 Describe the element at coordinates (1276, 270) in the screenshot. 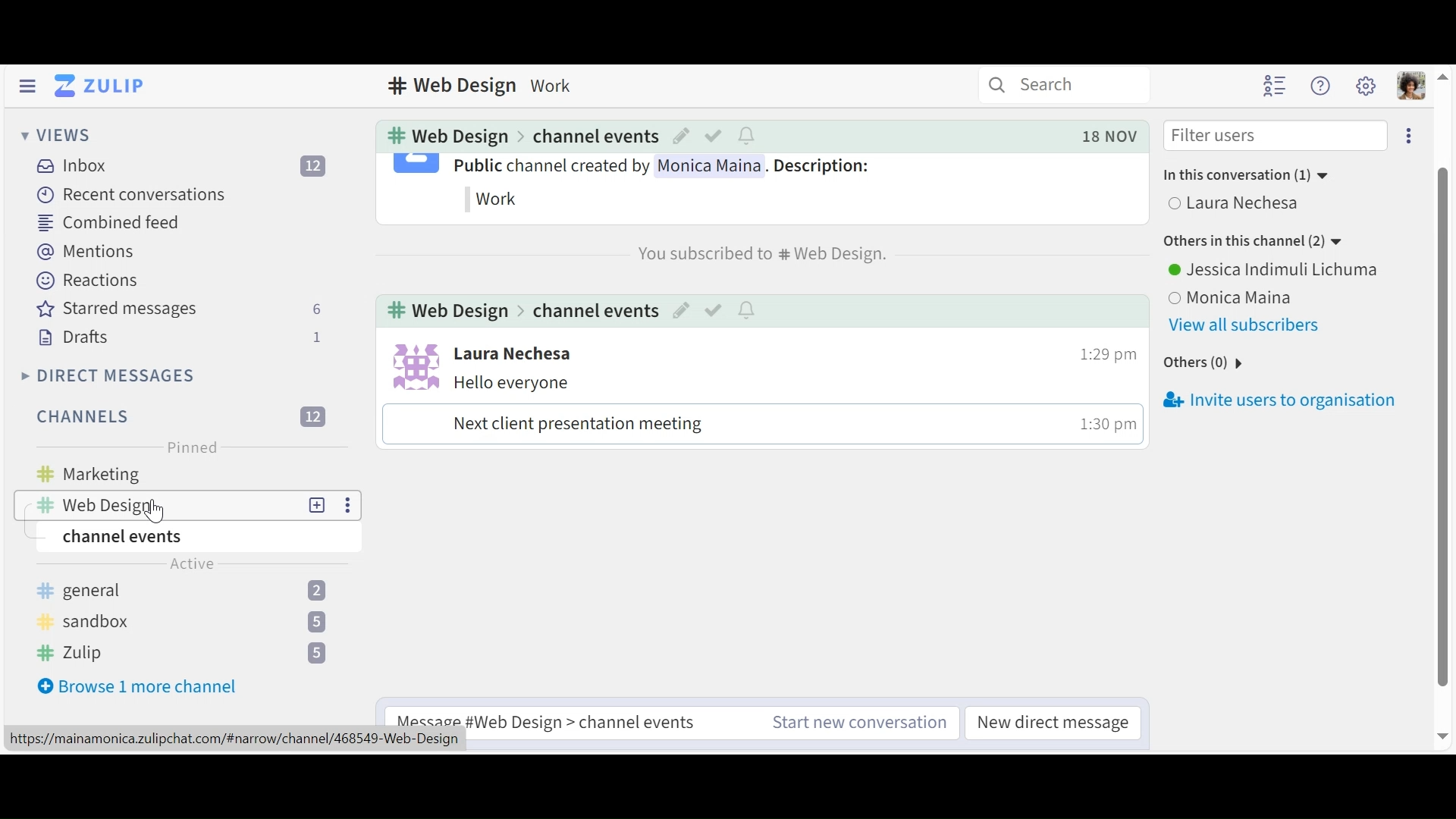

I see `Jessica Indimuli Lichuma` at that location.